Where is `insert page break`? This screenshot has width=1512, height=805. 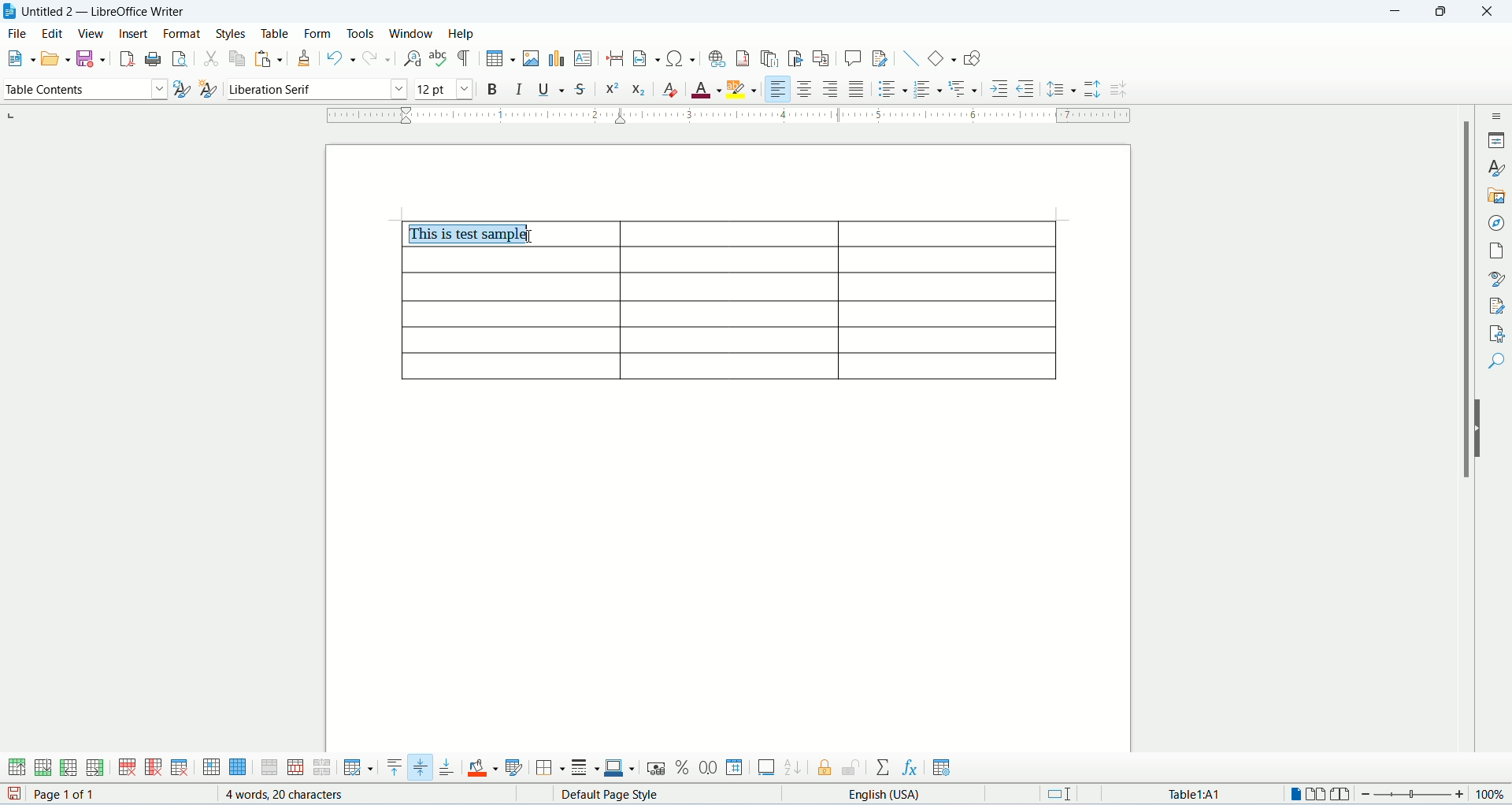
insert page break is located at coordinates (616, 57).